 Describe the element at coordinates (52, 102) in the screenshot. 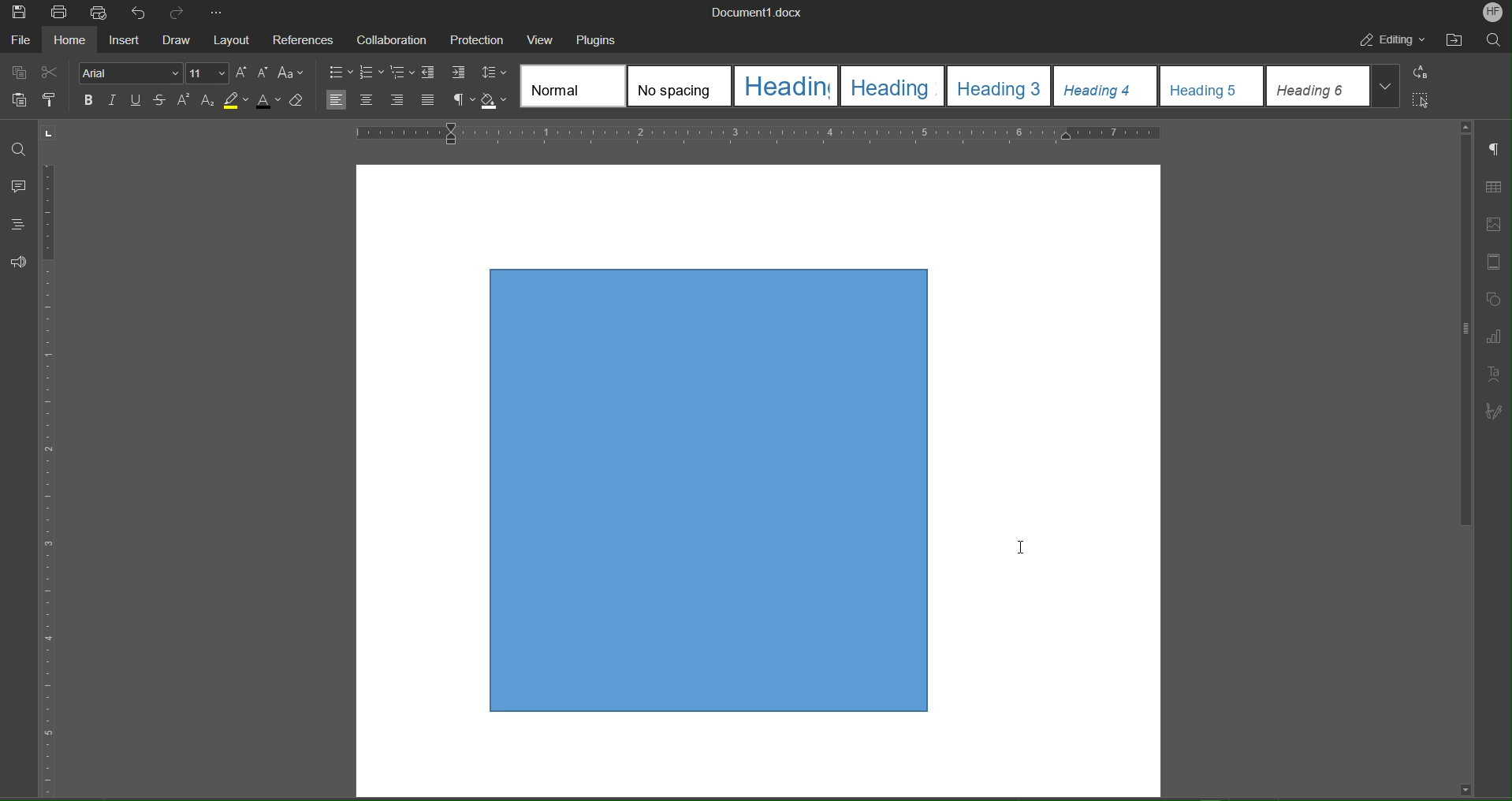

I see `Style Copy` at that location.